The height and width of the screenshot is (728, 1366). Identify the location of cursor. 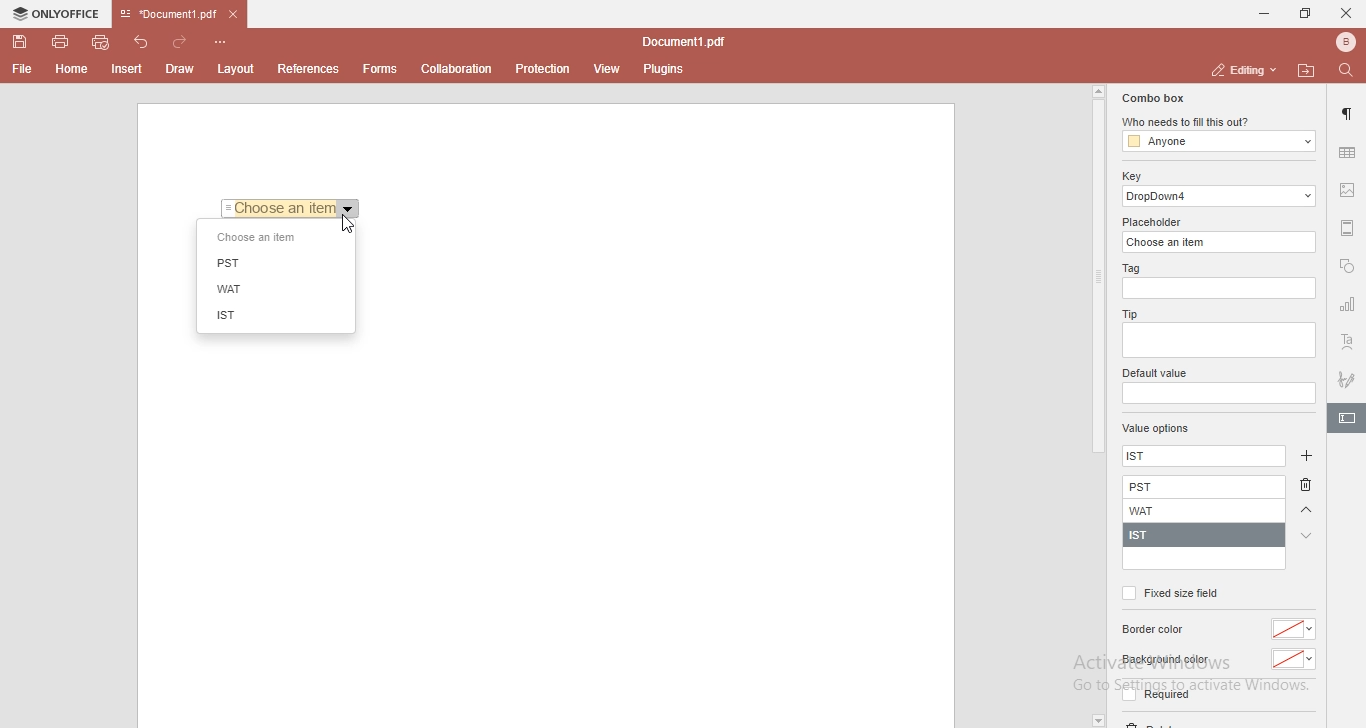
(349, 225).